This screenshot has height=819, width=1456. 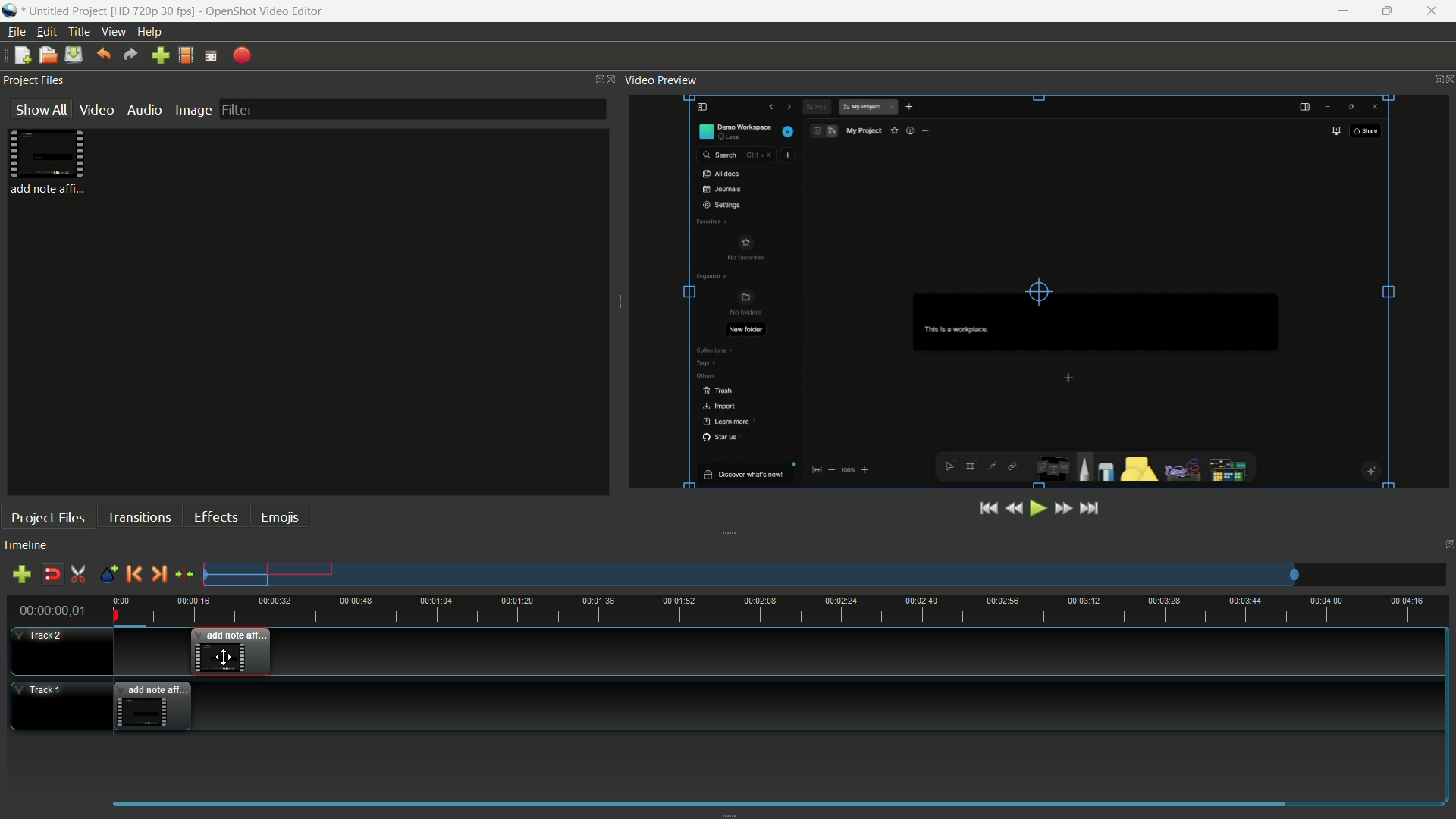 I want to click on save files, so click(x=73, y=55).